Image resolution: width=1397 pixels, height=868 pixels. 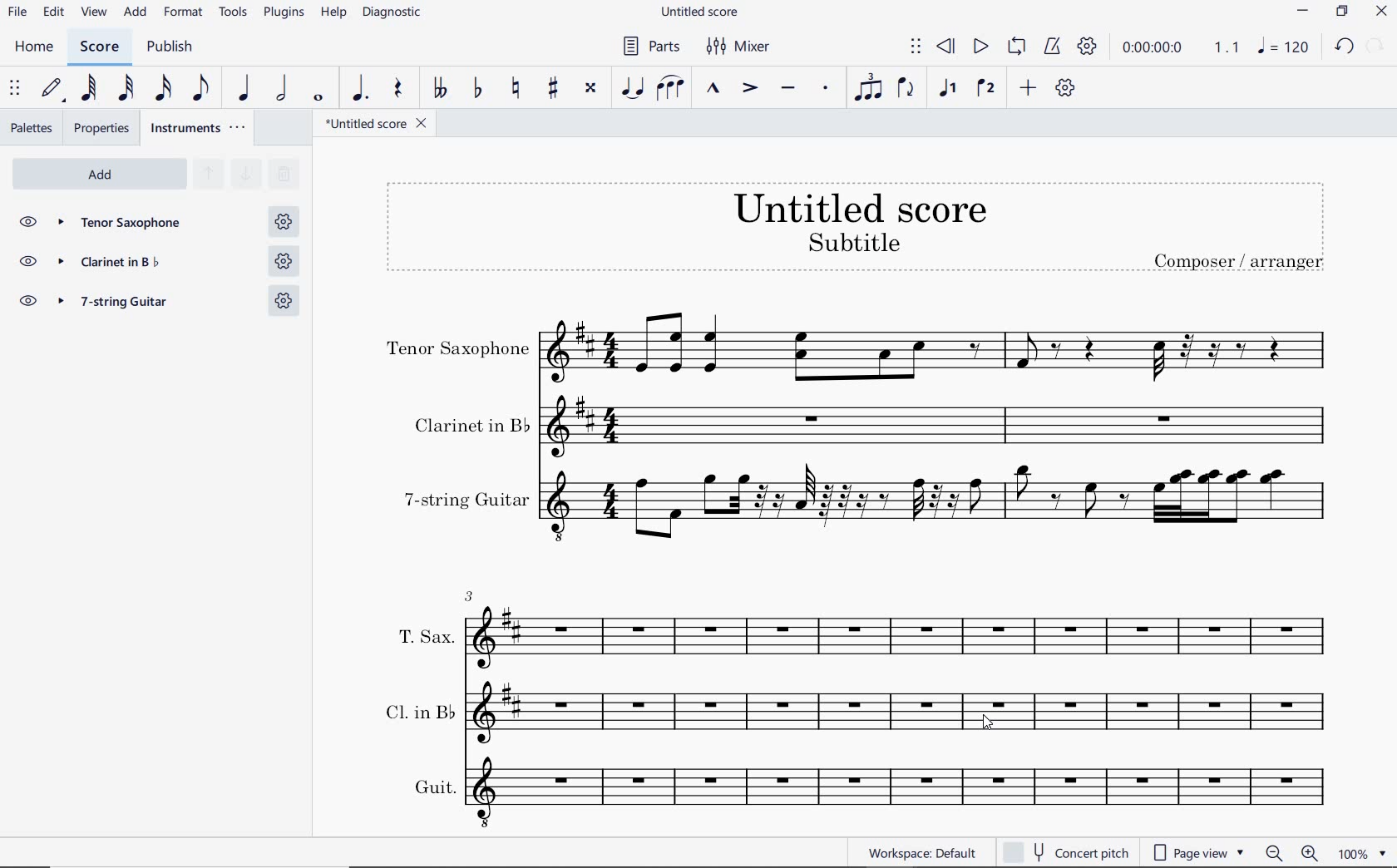 What do you see at coordinates (54, 12) in the screenshot?
I see `EDIT` at bounding box center [54, 12].